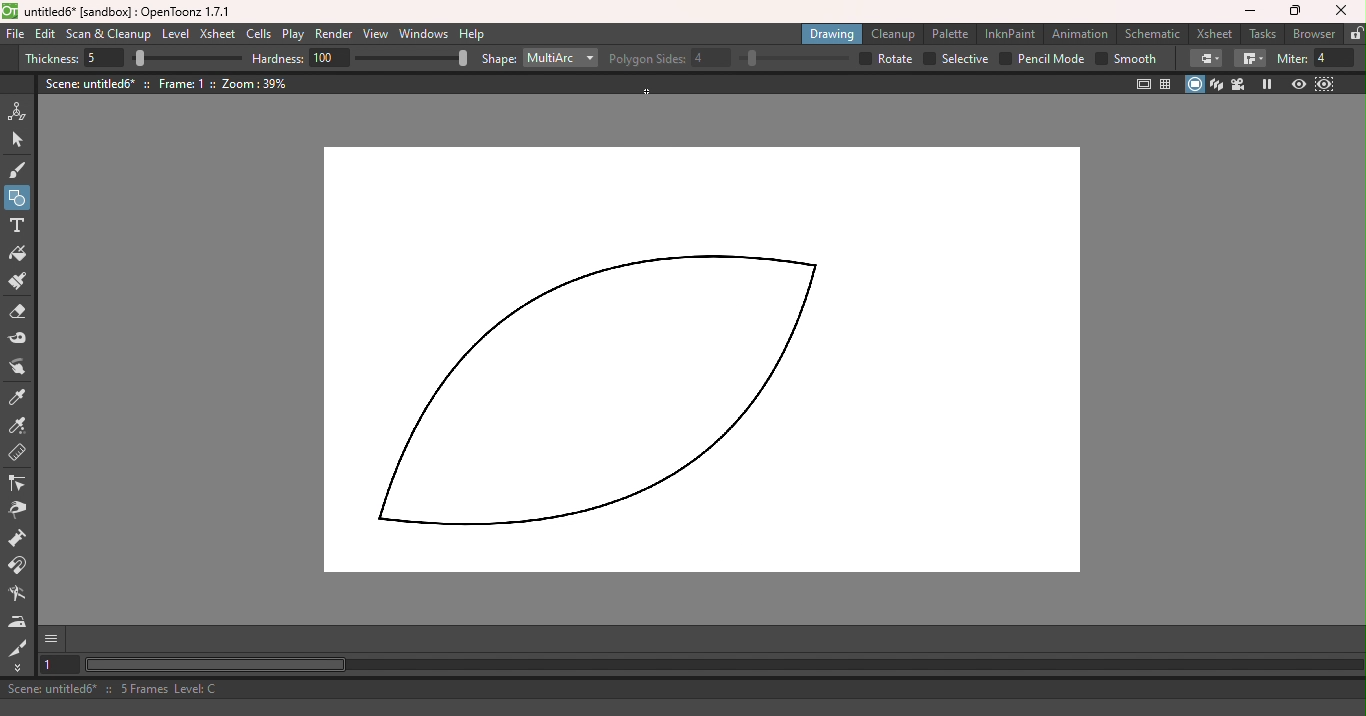  Describe the element at coordinates (1168, 85) in the screenshot. I see `Field guide` at that location.